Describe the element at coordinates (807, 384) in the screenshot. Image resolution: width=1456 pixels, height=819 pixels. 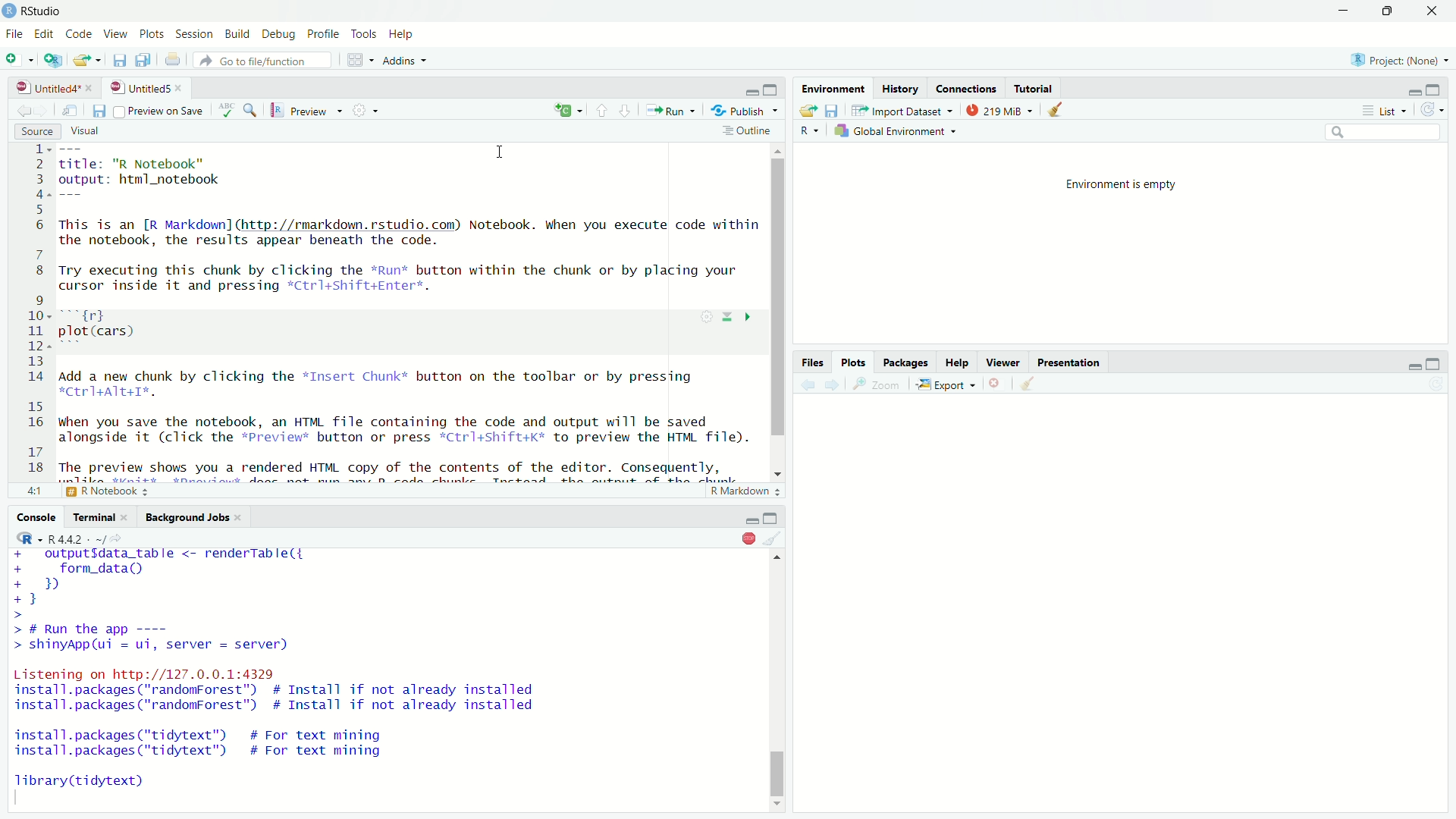
I see `previous plot` at that location.